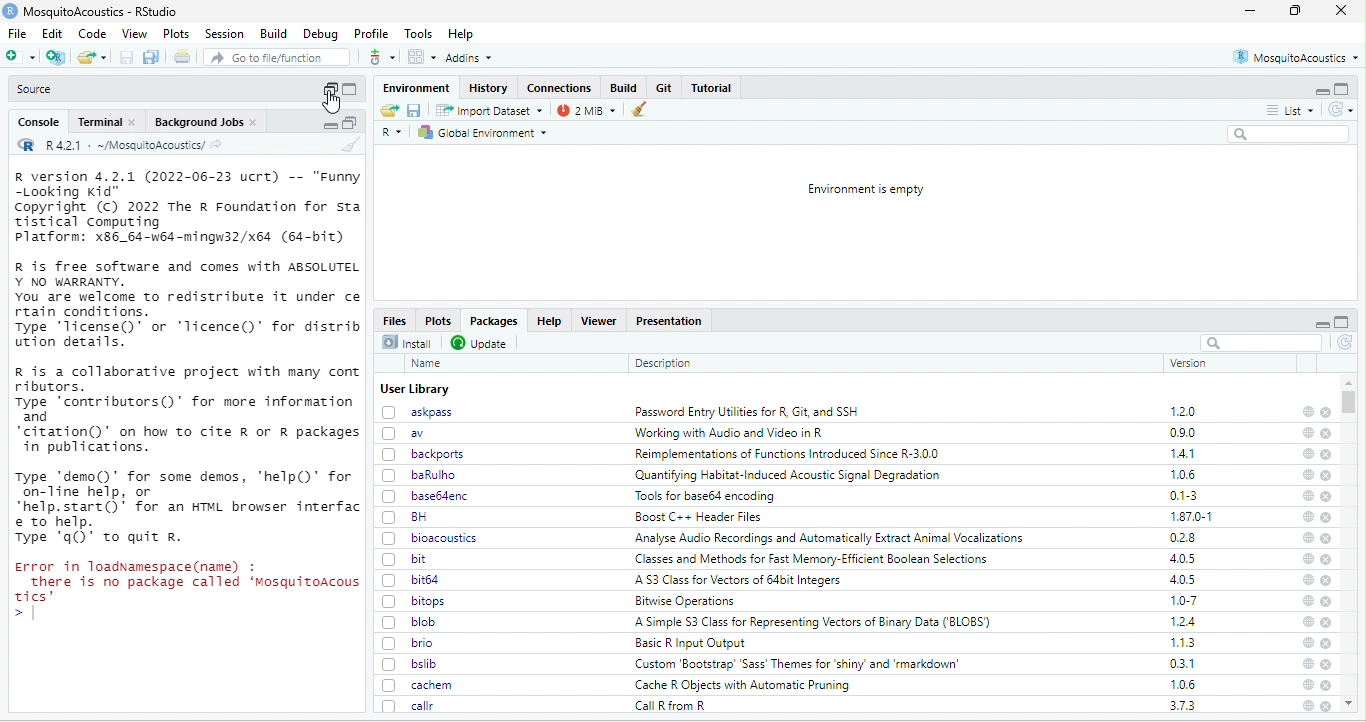  Describe the element at coordinates (663, 363) in the screenshot. I see `Description` at that location.